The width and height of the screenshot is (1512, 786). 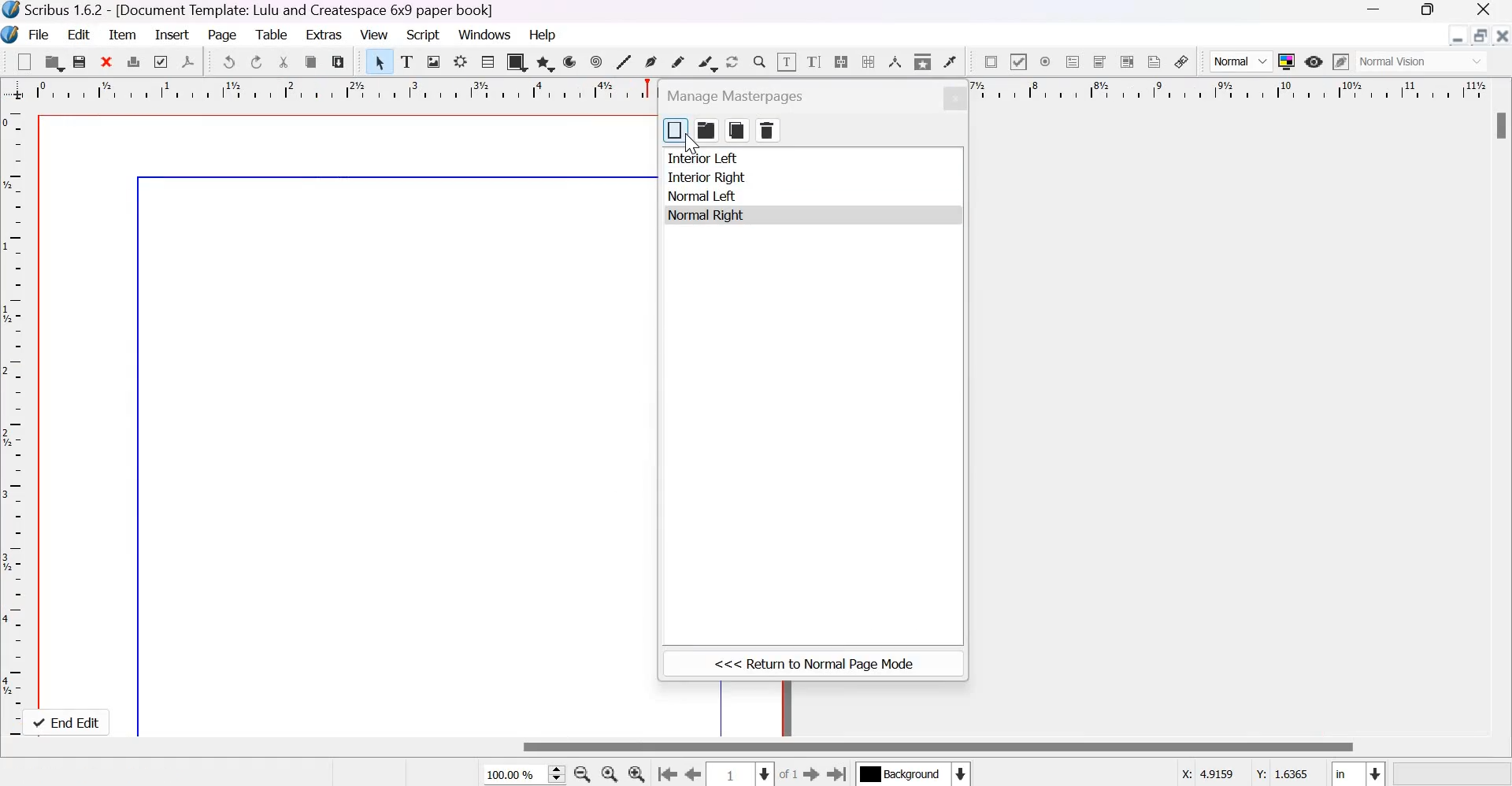 I want to click on Select item, so click(x=380, y=62).